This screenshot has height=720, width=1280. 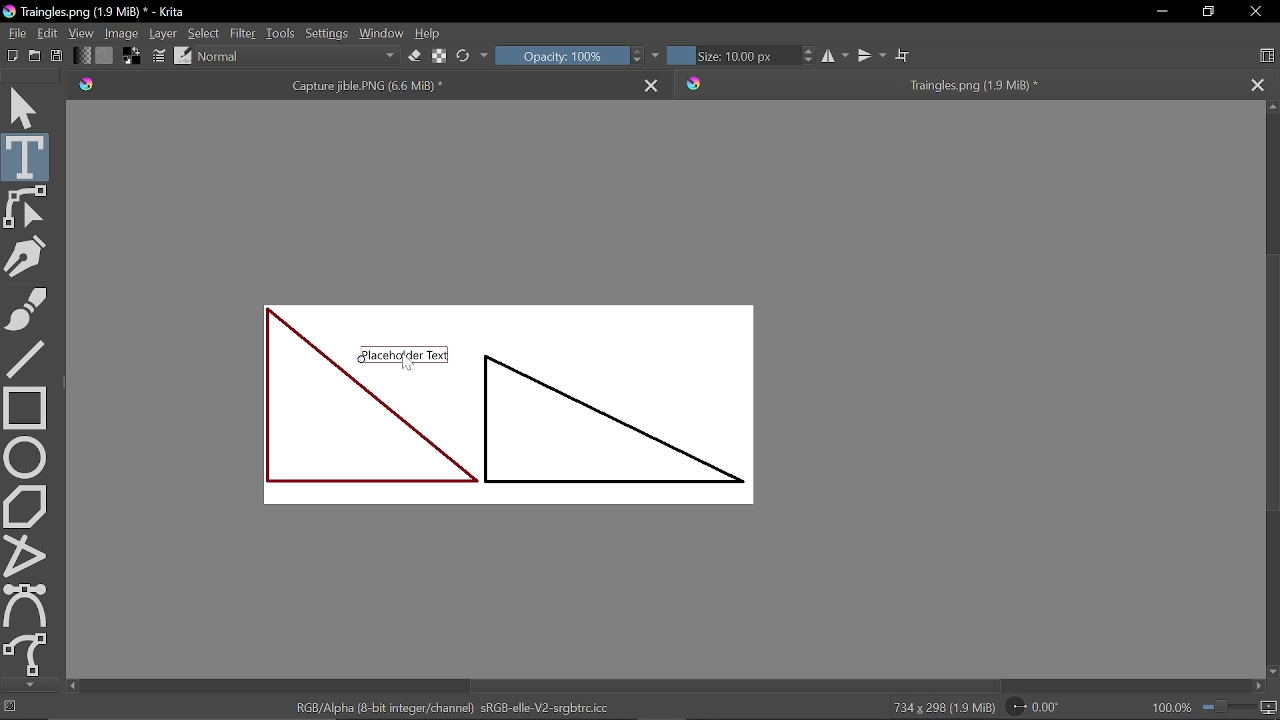 I want to click on Reload original preset, so click(x=462, y=56).